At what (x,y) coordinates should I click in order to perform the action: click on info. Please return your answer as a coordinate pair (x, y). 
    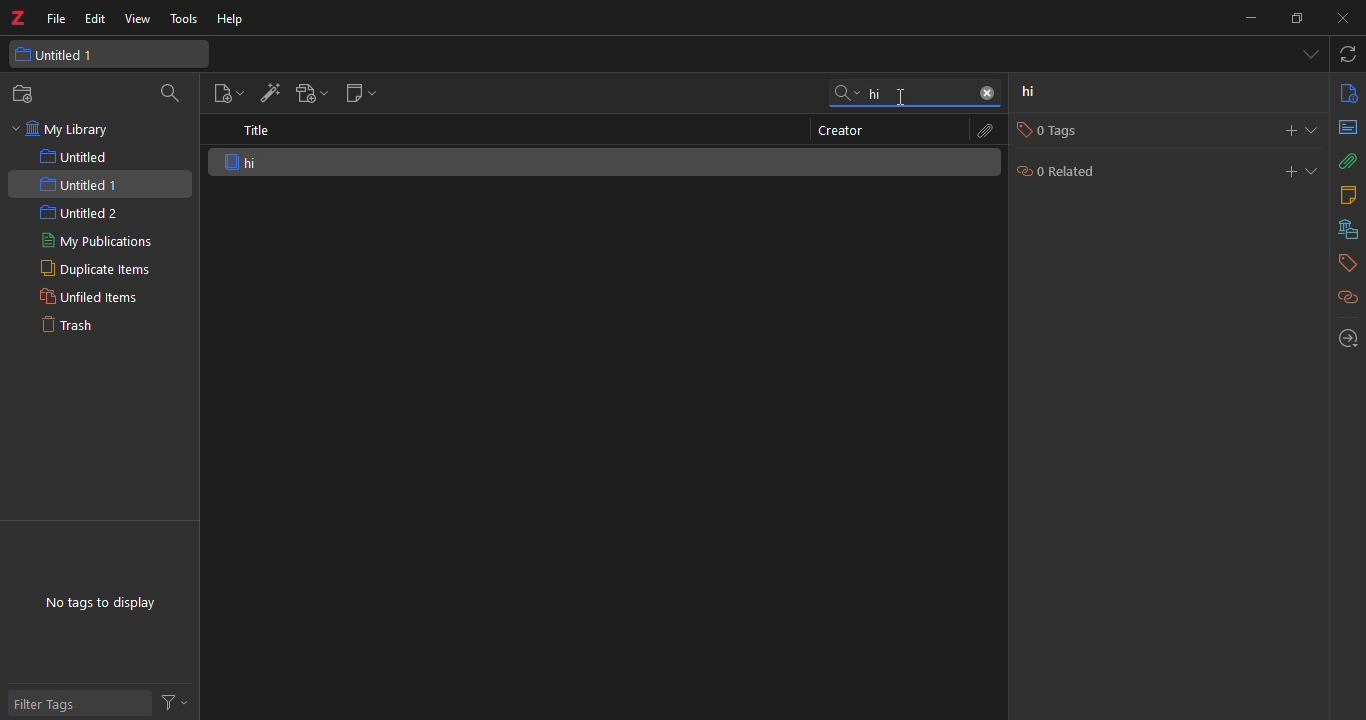
    Looking at the image, I should click on (1348, 92).